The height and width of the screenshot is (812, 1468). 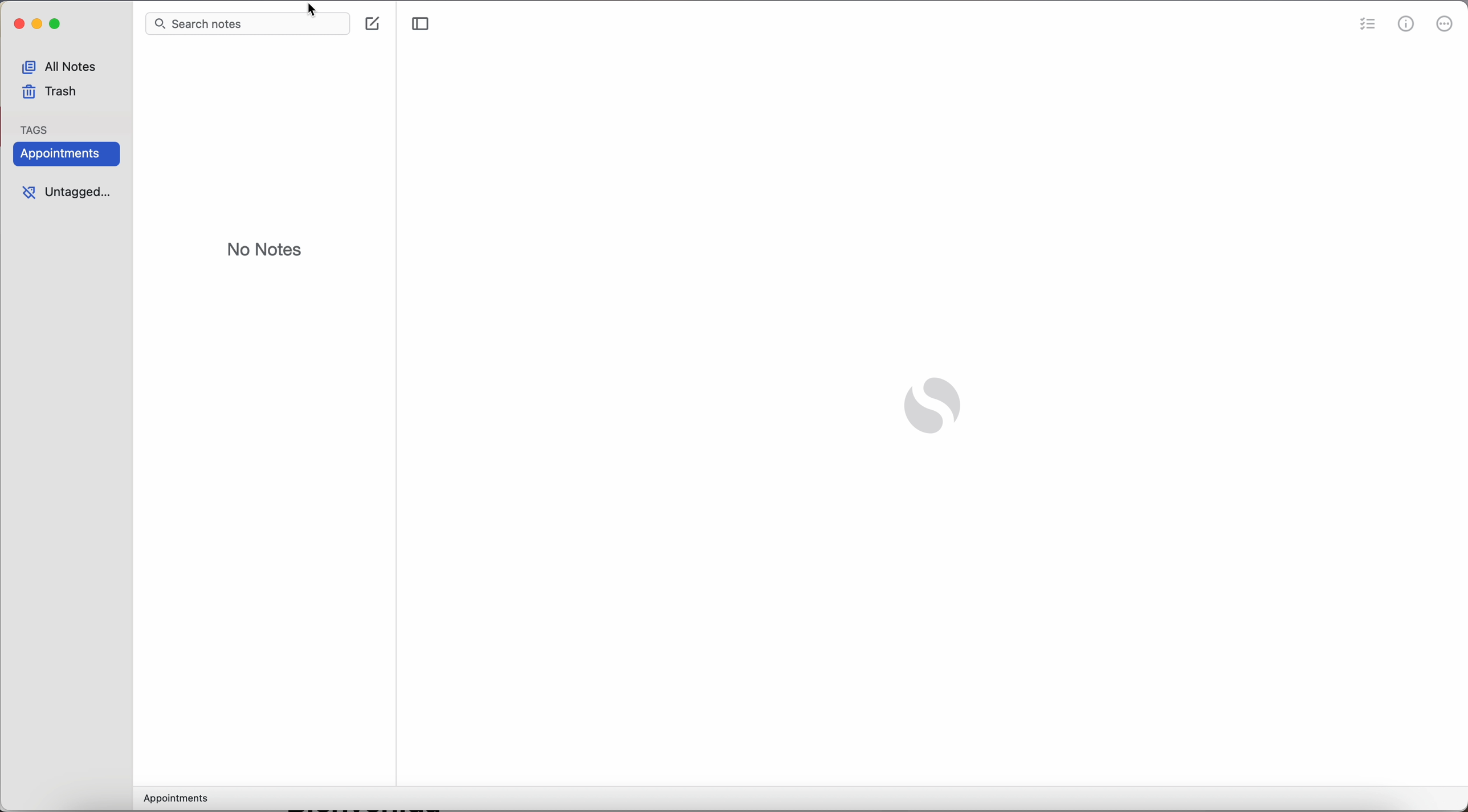 What do you see at coordinates (58, 26) in the screenshot?
I see `maximize Simplenote` at bounding box center [58, 26].